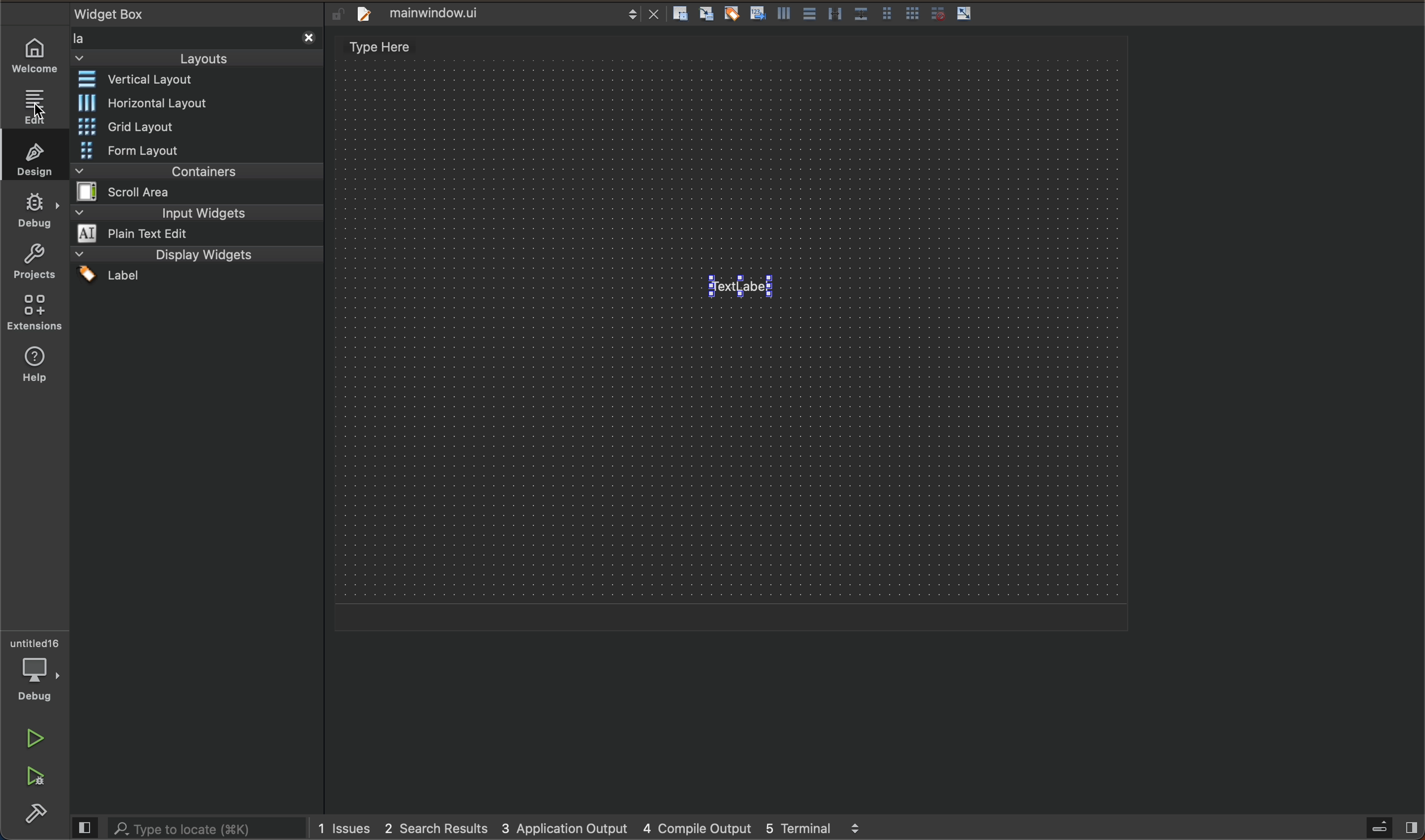 The width and height of the screenshot is (1425, 840). Describe the element at coordinates (758, 11) in the screenshot. I see `Edit tab orders` at that location.